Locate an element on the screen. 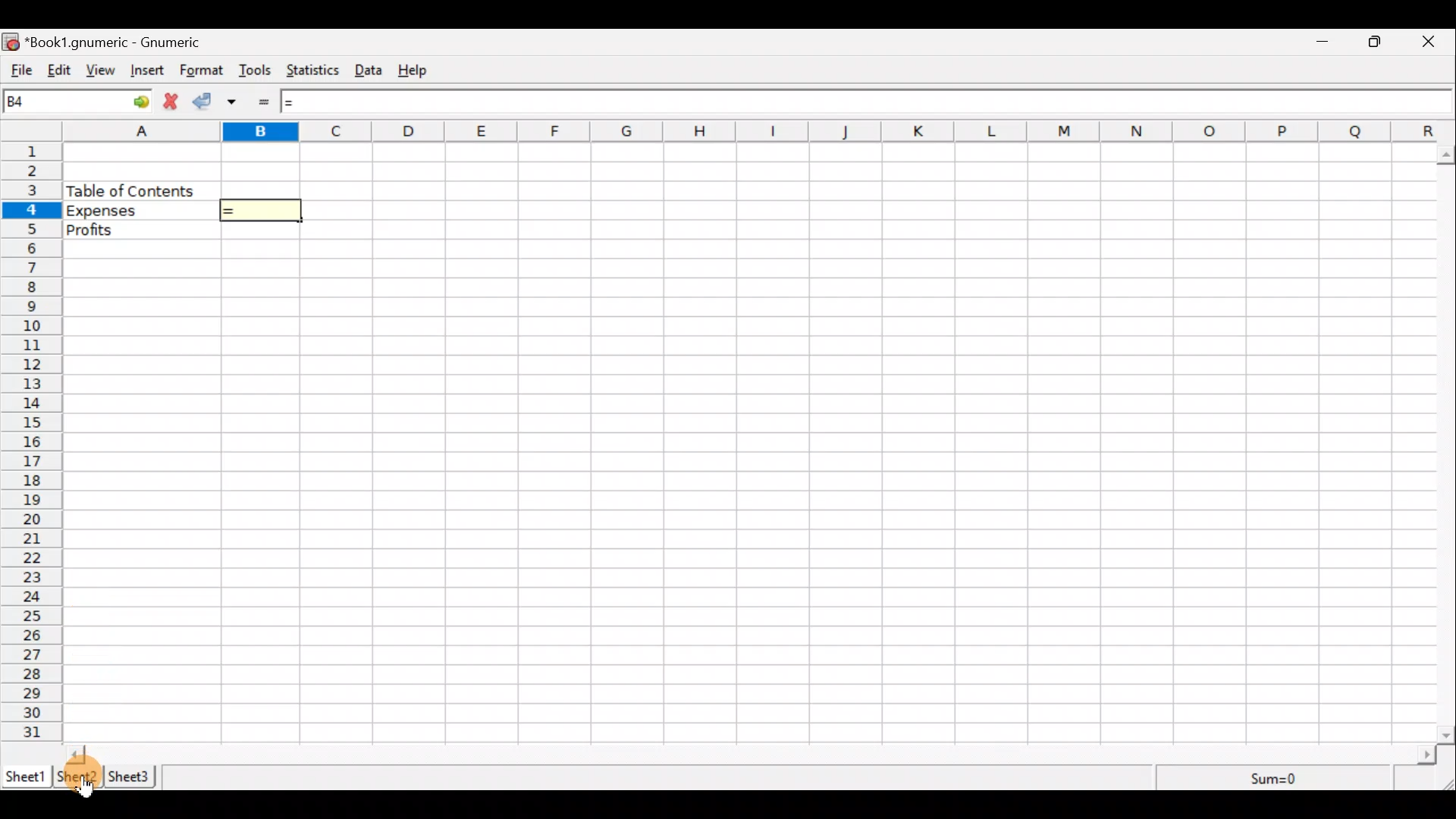  Cursor on sheet 2 is located at coordinates (80, 767).